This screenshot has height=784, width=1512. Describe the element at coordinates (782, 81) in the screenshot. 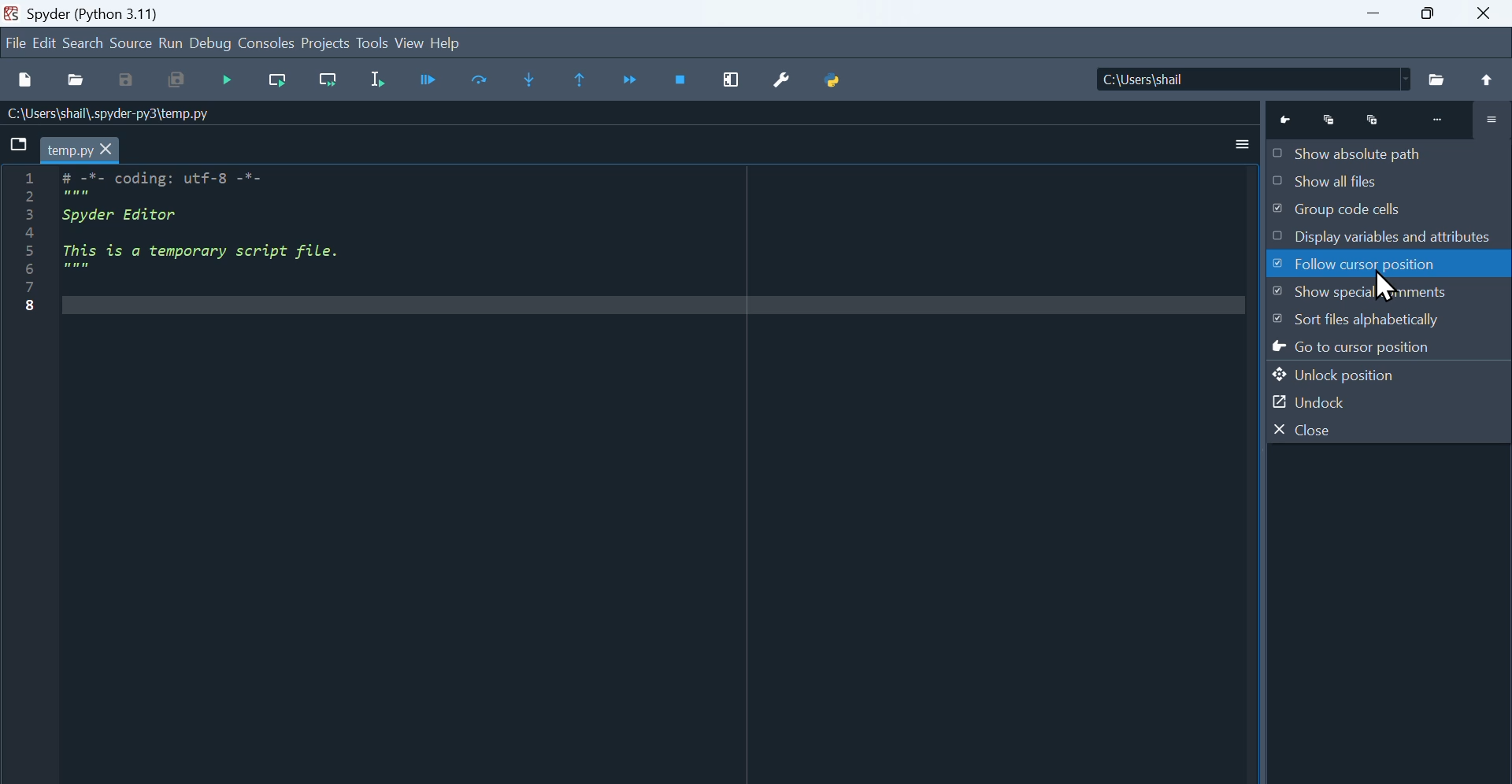

I see `Preferences` at that location.